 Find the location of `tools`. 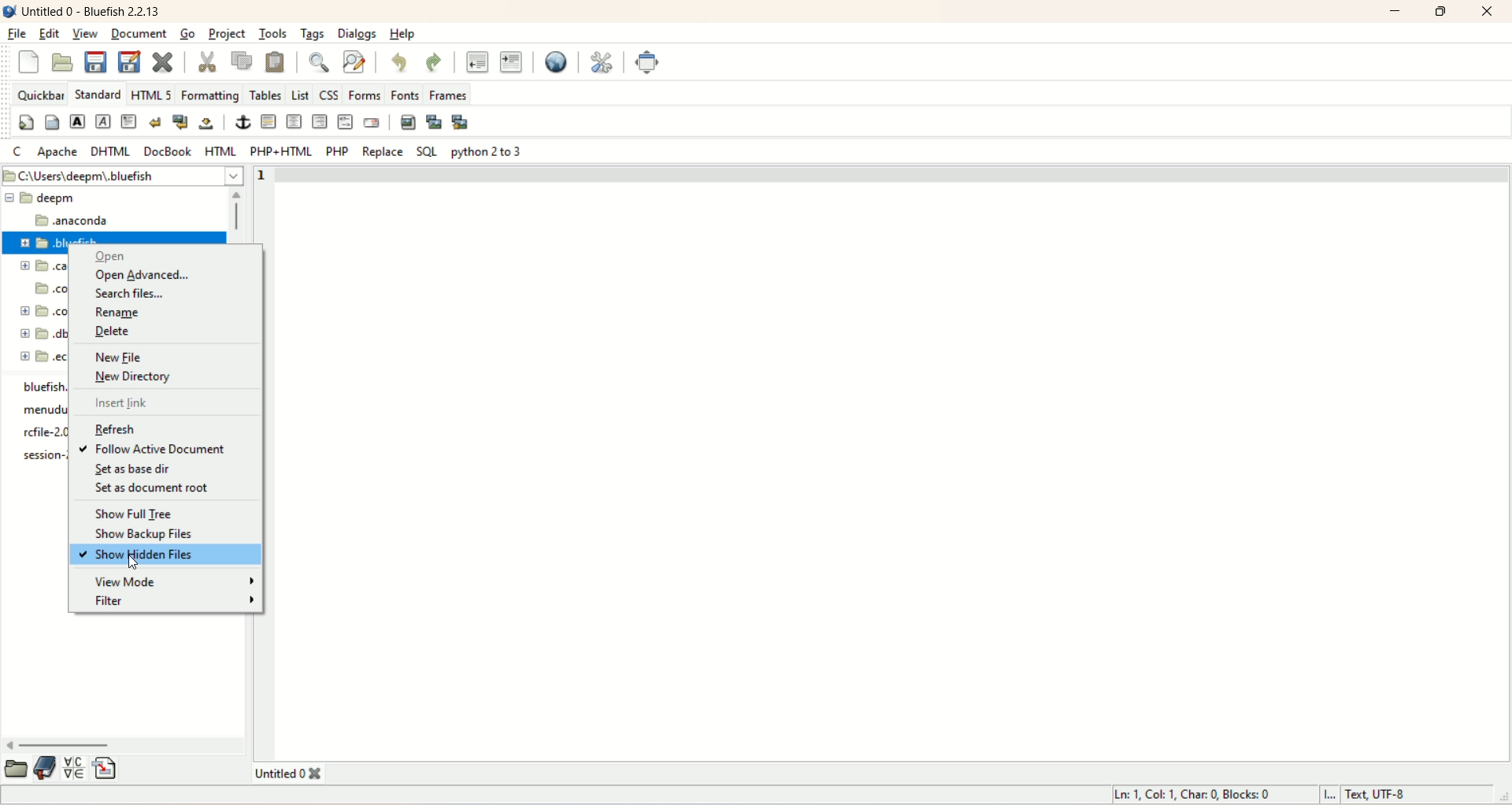

tools is located at coordinates (272, 35).